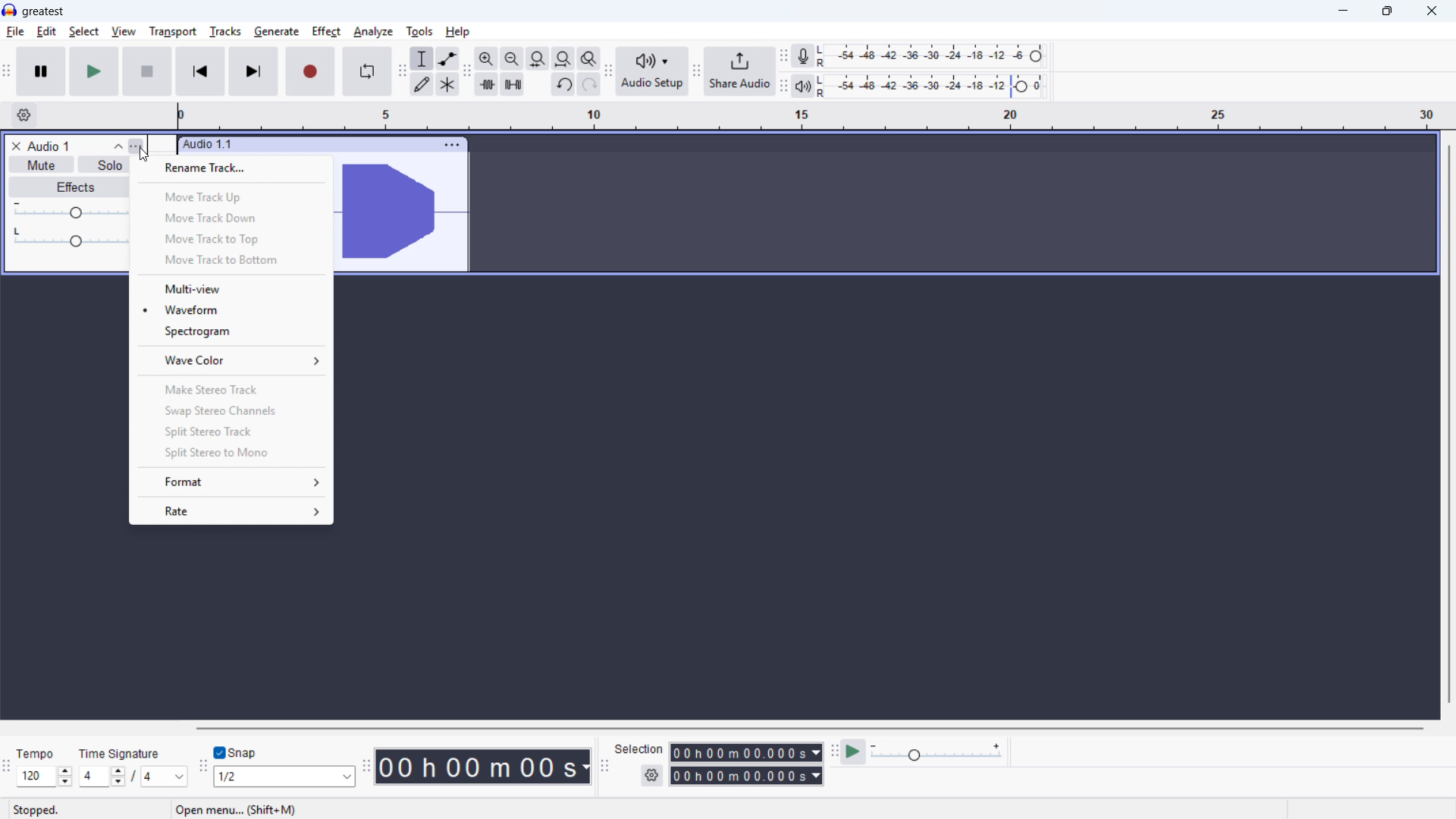 This screenshot has height=819, width=1456. I want to click on Toggle snap , so click(235, 752).